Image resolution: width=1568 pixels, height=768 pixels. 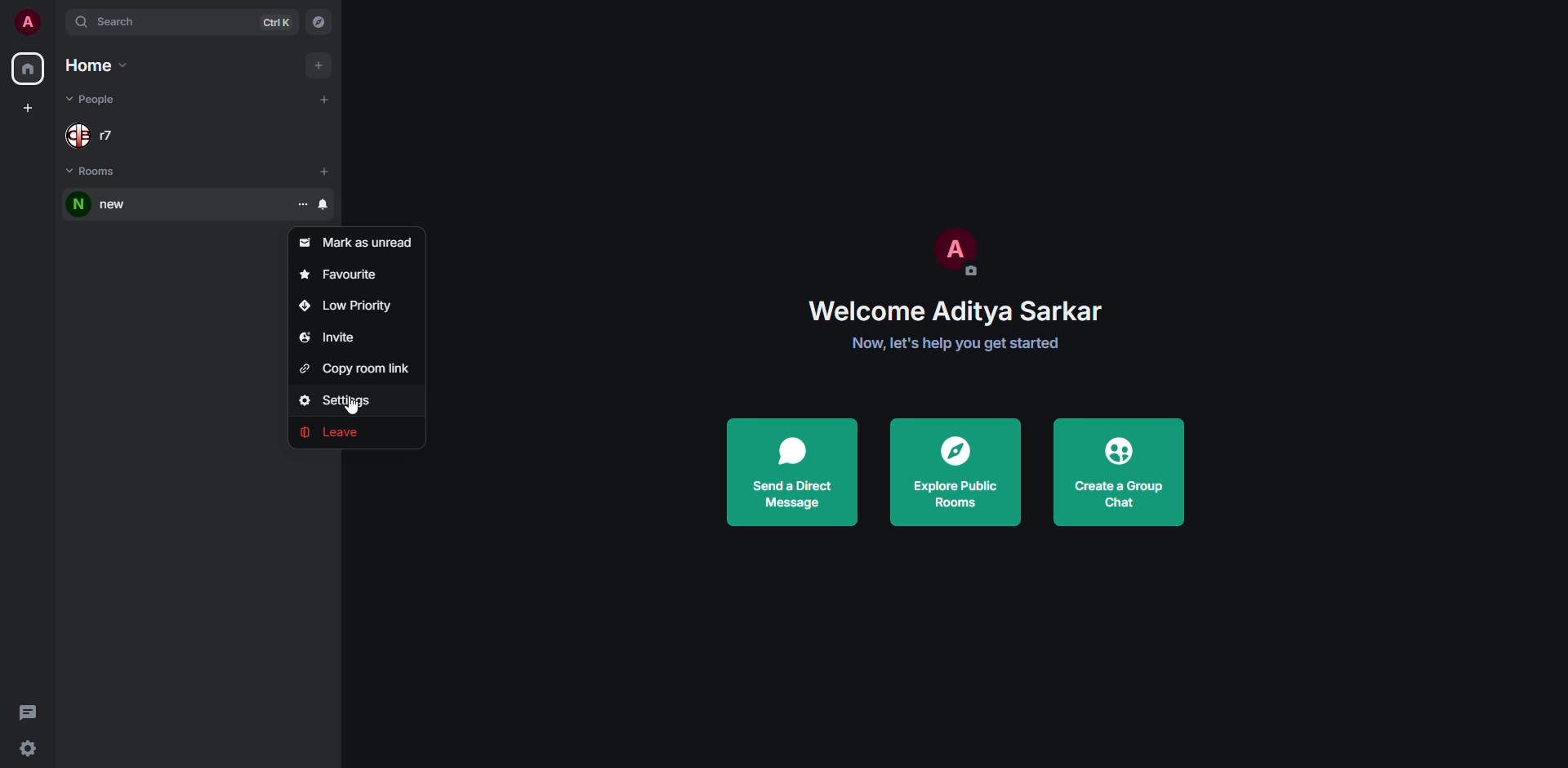 What do you see at coordinates (953, 248) in the screenshot?
I see `profile` at bounding box center [953, 248].